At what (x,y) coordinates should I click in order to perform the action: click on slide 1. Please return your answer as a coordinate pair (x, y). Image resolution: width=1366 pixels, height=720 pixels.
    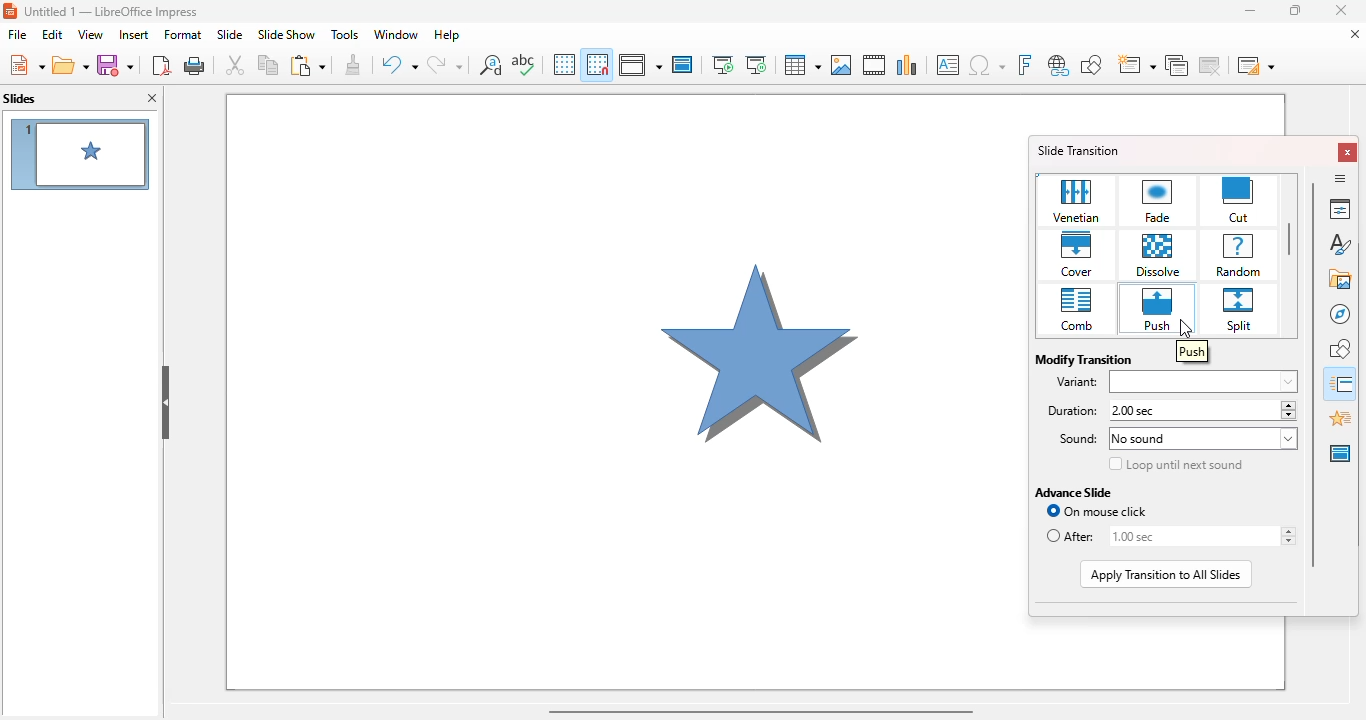
    Looking at the image, I should click on (614, 392).